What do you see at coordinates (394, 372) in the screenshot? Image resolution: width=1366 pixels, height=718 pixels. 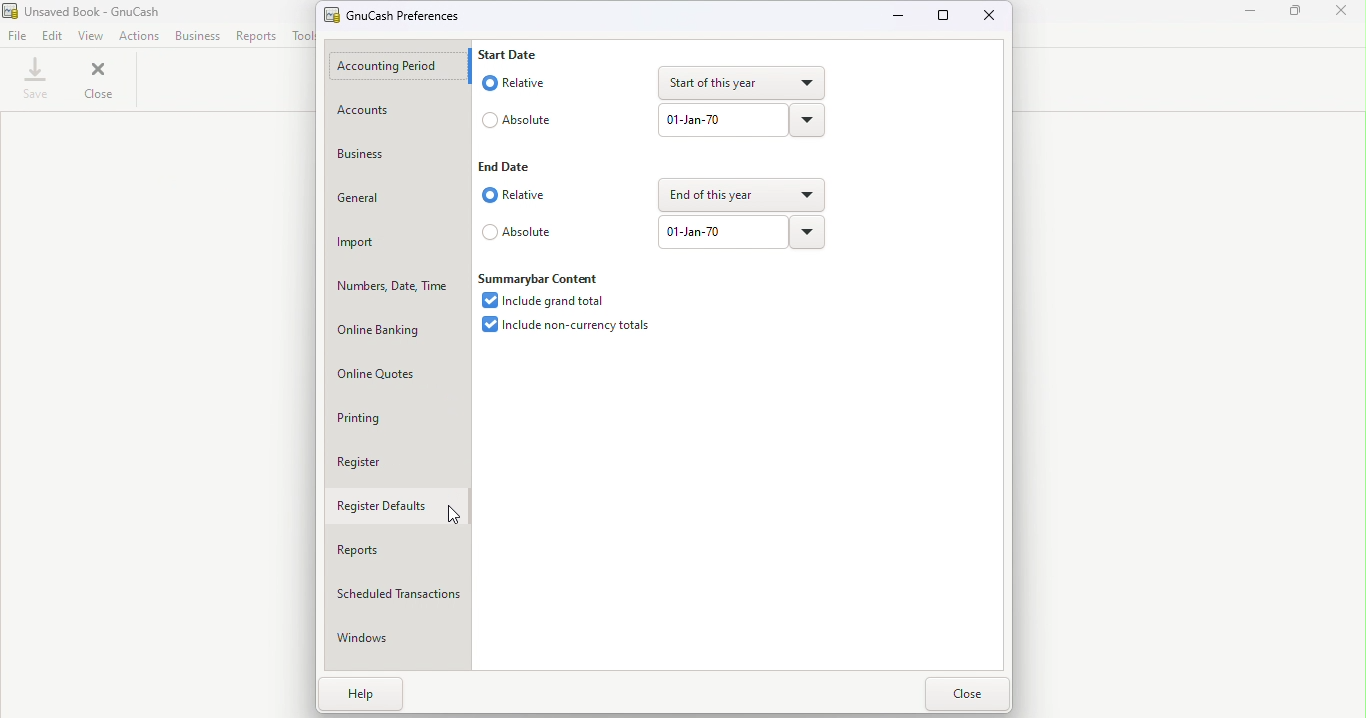 I see `Online Quotes` at bounding box center [394, 372].